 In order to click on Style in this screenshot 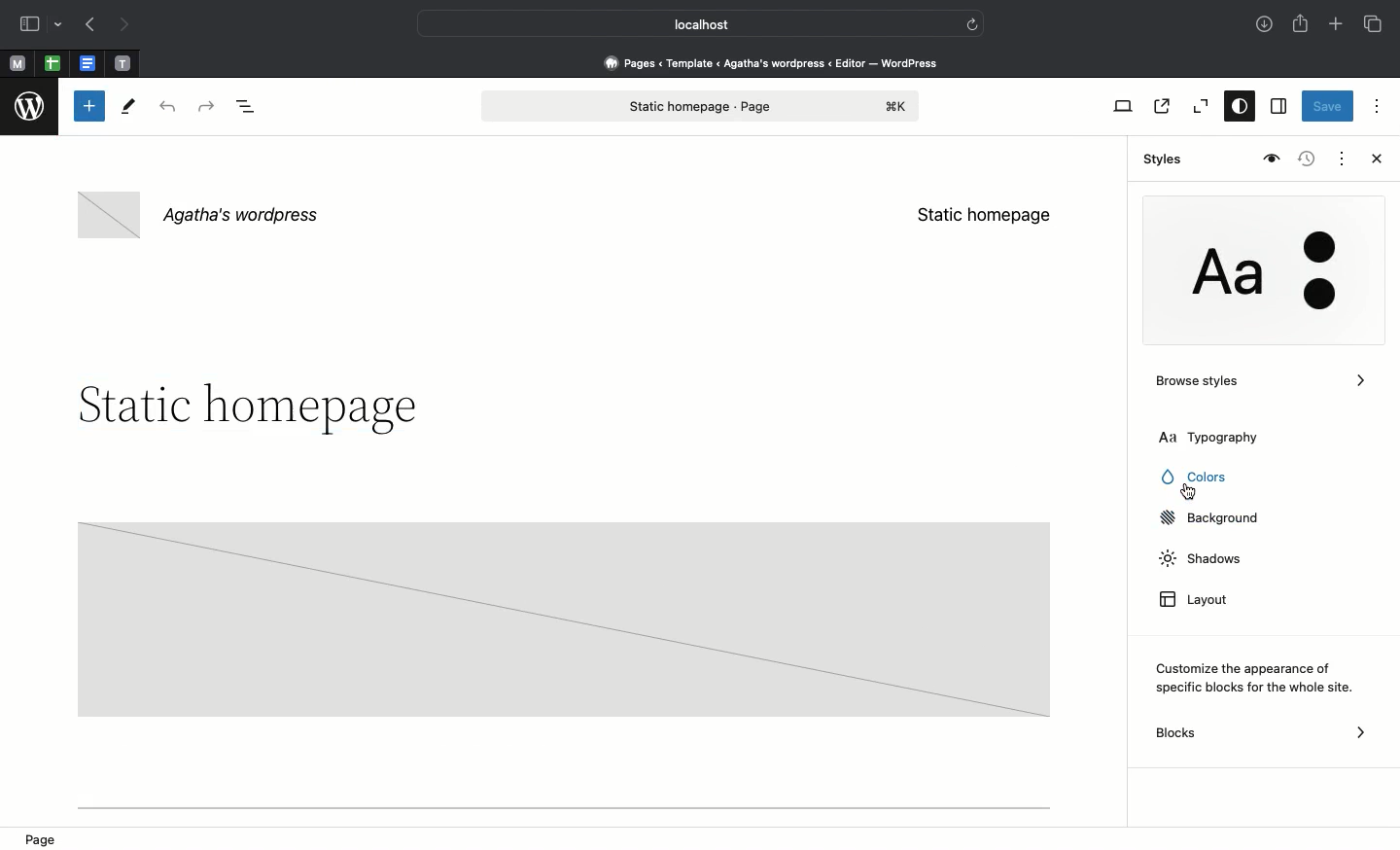, I will do `click(1256, 273)`.